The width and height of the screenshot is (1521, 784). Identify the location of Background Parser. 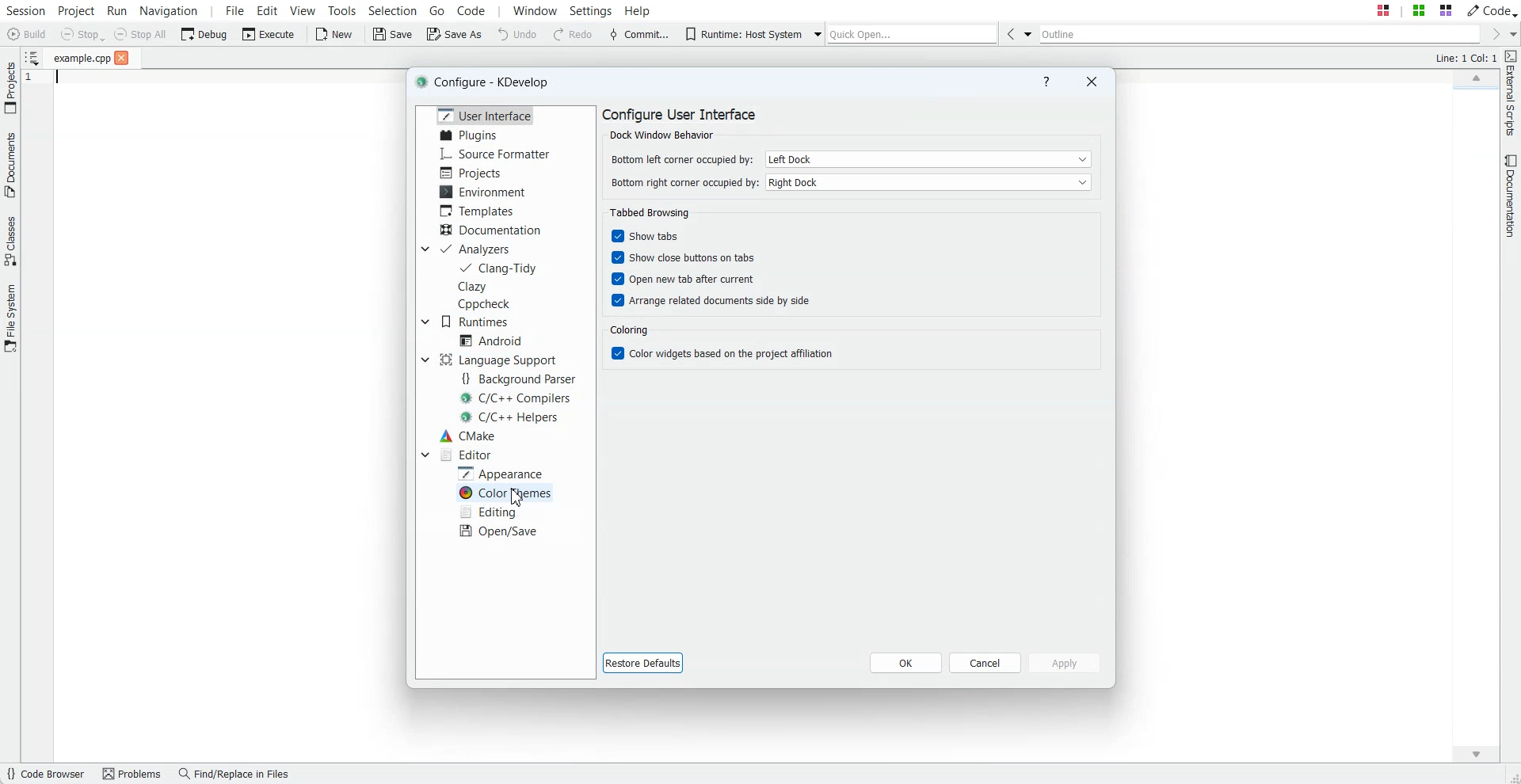
(522, 379).